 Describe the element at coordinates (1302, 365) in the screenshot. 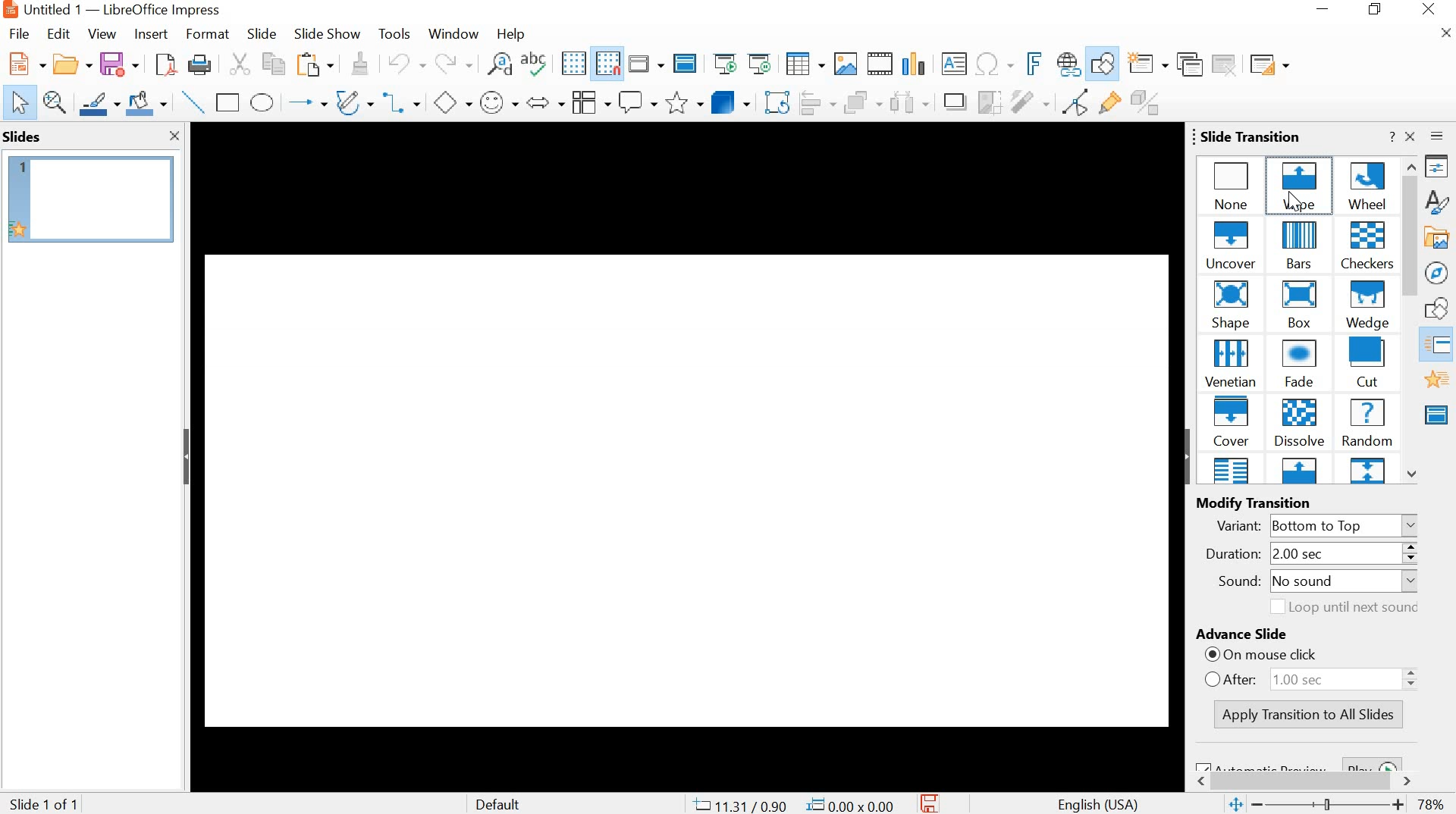

I see `FADE` at that location.